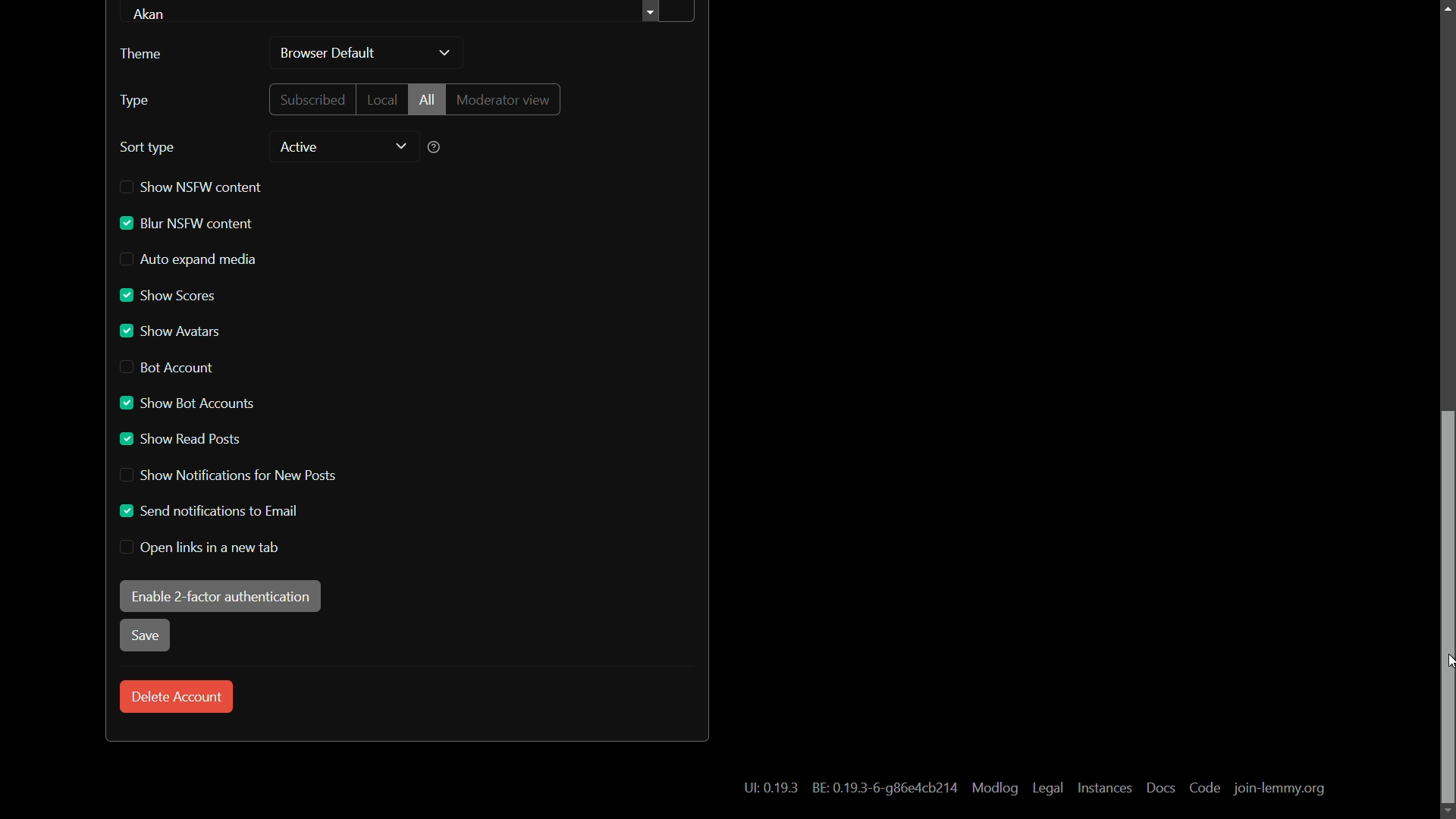  Describe the element at coordinates (140, 54) in the screenshot. I see `theme` at that location.